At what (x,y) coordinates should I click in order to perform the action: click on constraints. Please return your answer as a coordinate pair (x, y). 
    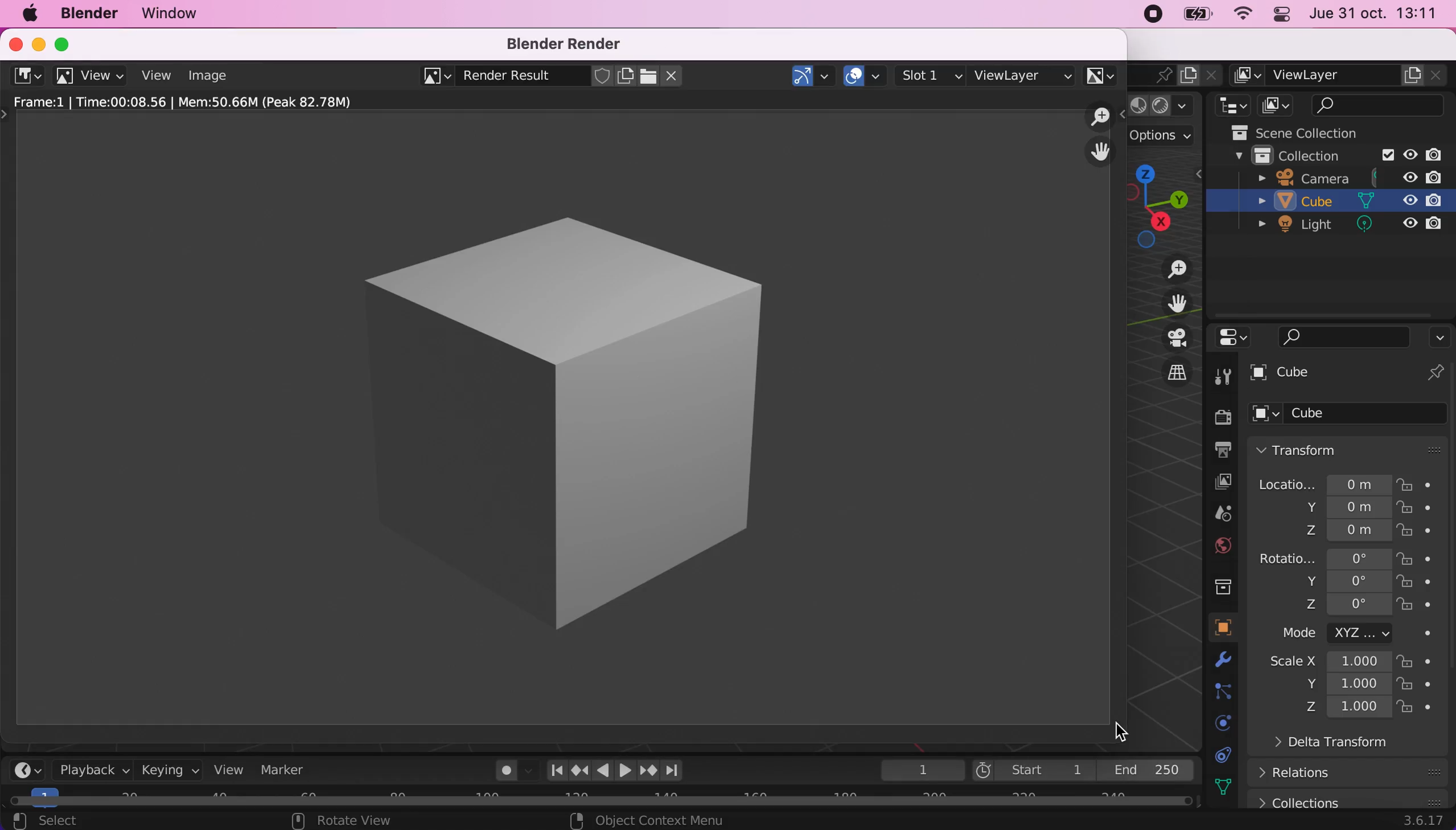
    Looking at the image, I should click on (1225, 693).